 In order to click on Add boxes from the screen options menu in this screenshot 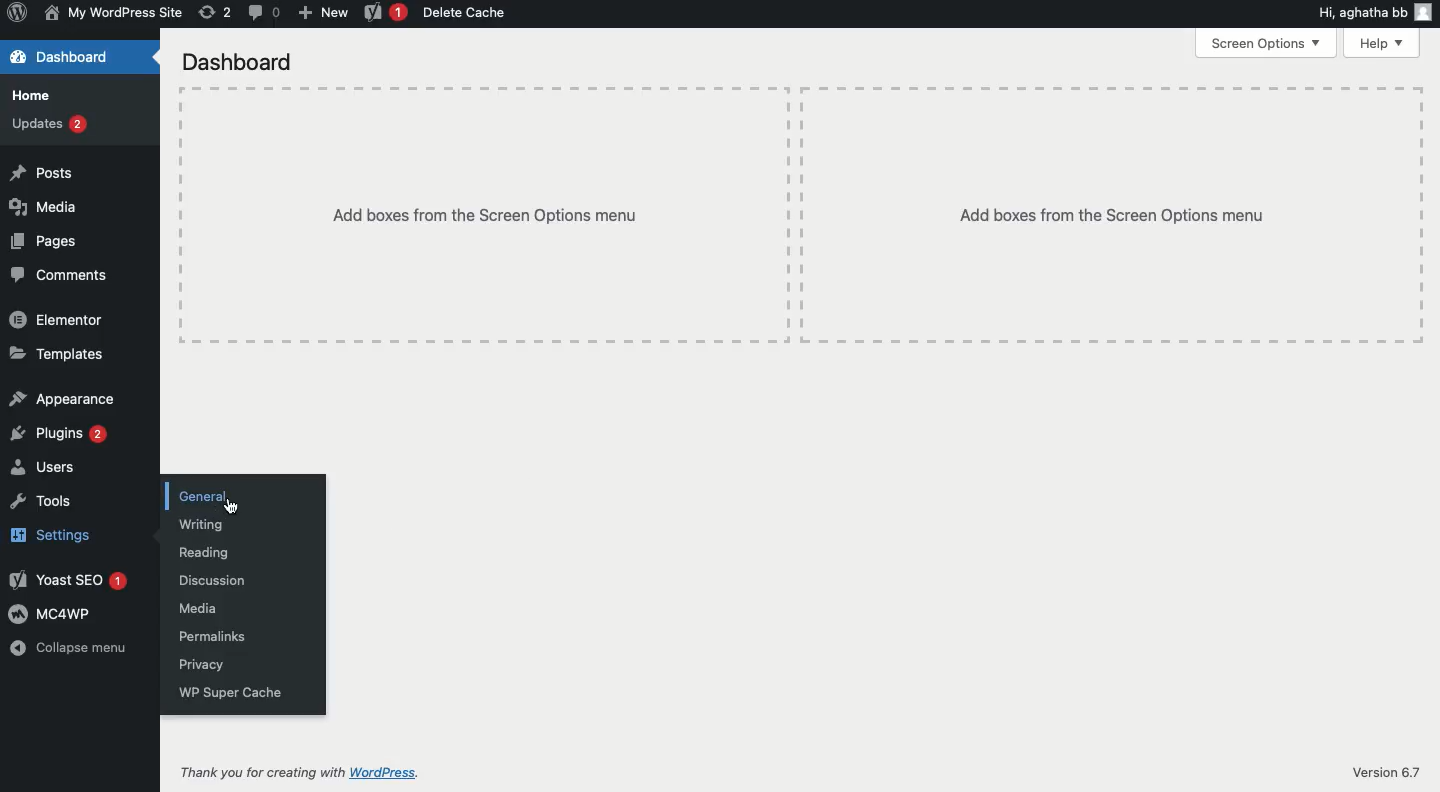, I will do `click(800, 214)`.